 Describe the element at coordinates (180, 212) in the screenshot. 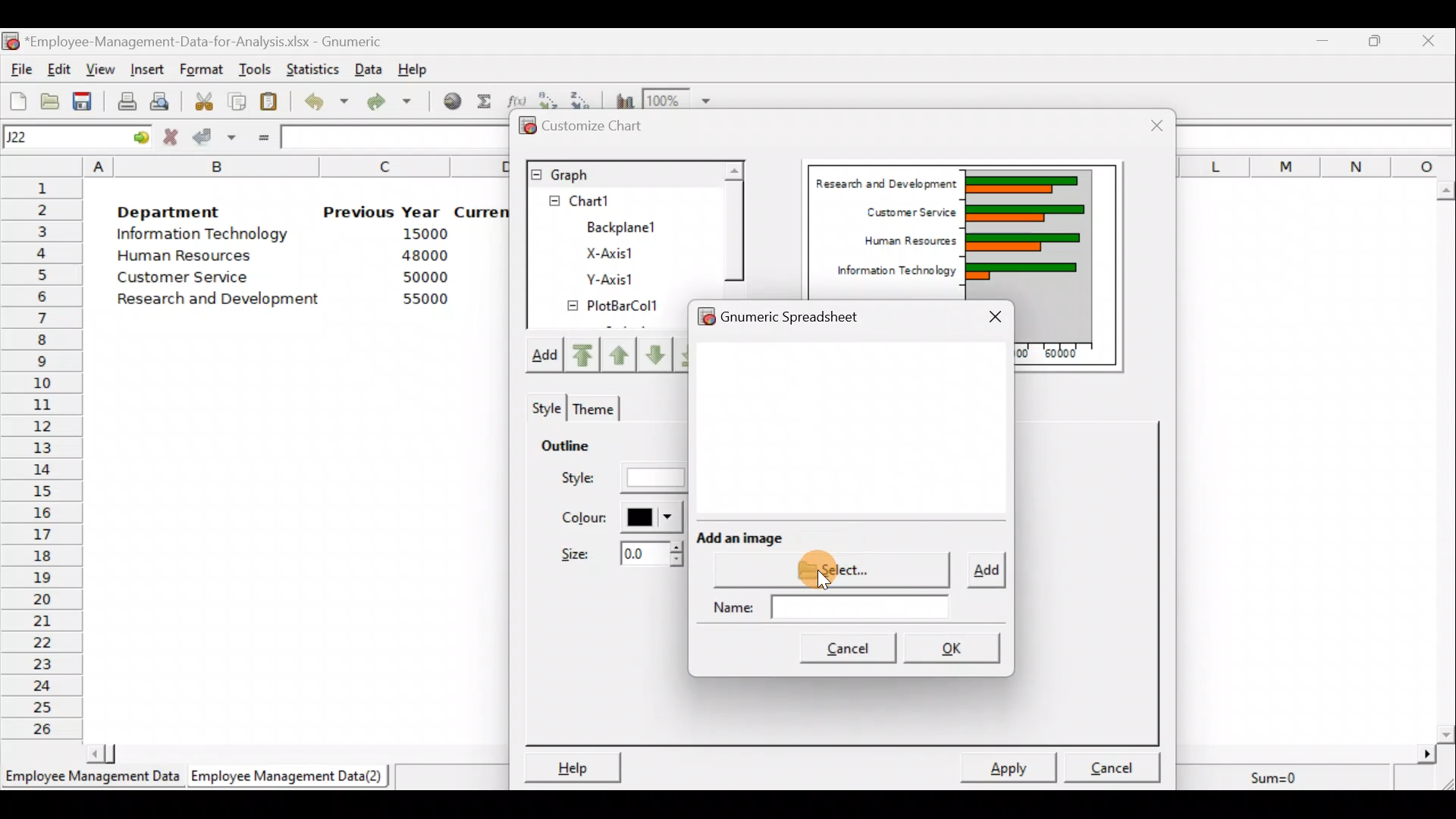

I see `Department` at that location.